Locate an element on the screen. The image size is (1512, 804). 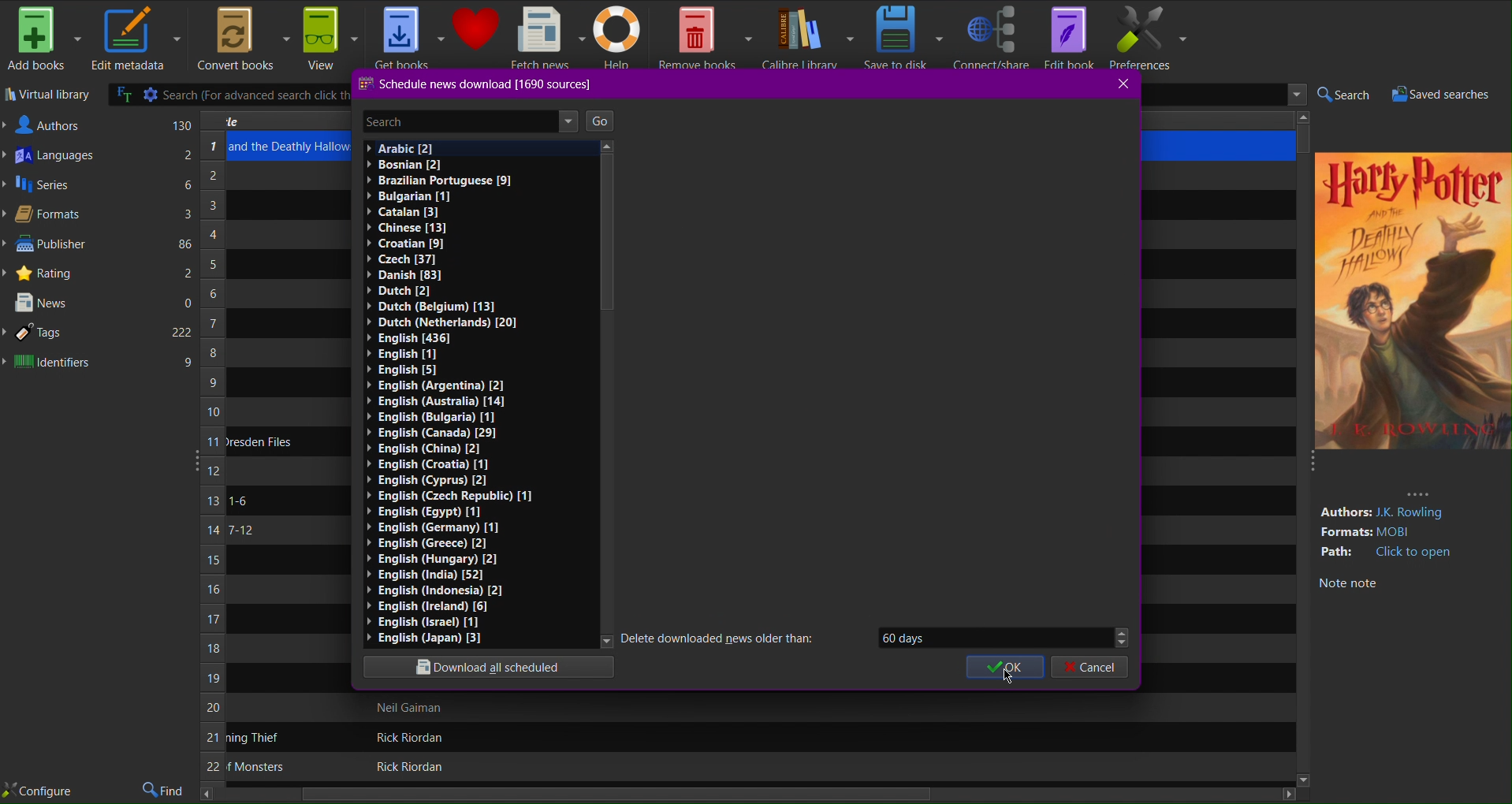
Calibre Library is located at coordinates (807, 38).